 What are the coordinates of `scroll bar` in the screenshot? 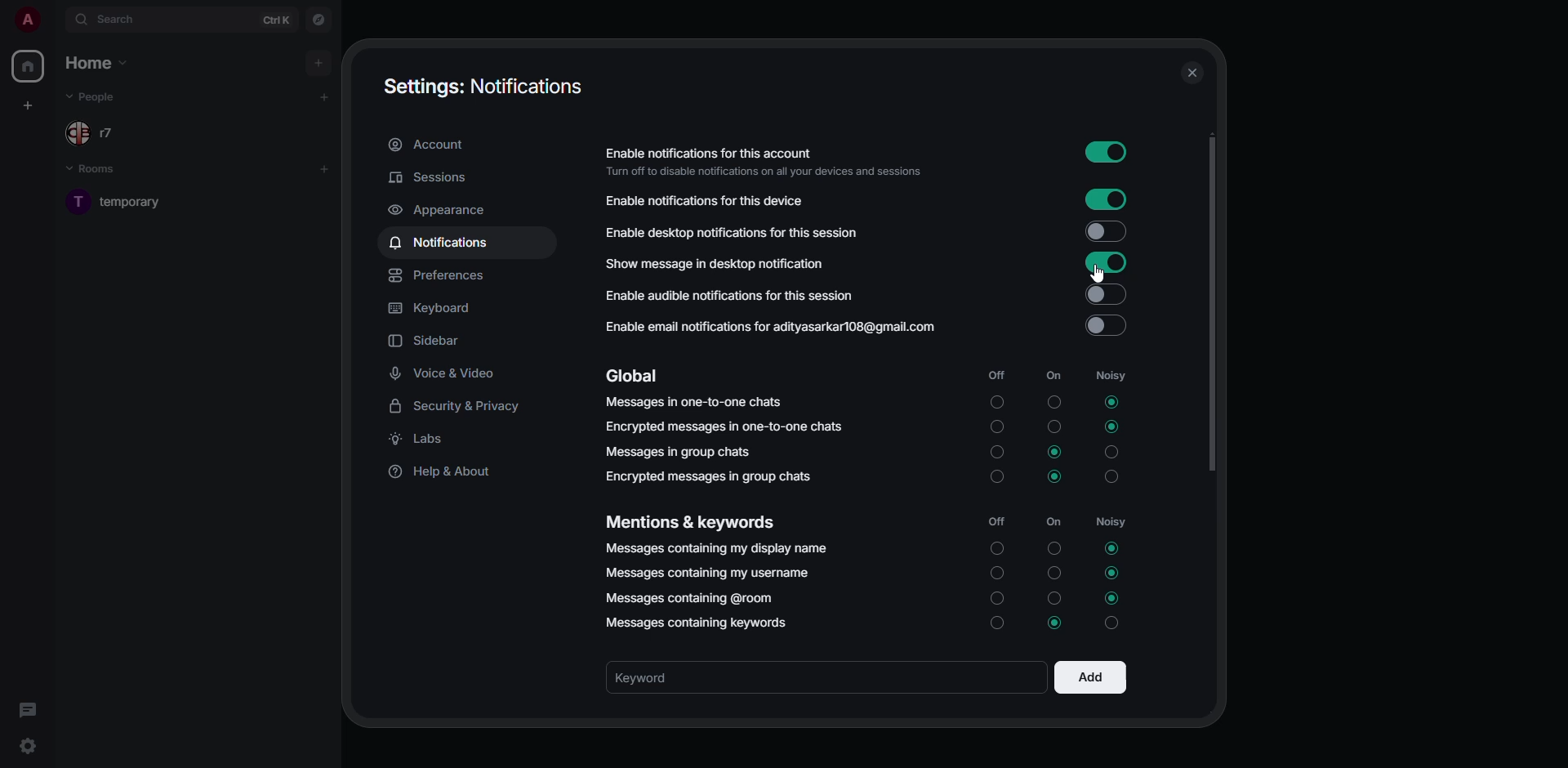 It's located at (1209, 302).